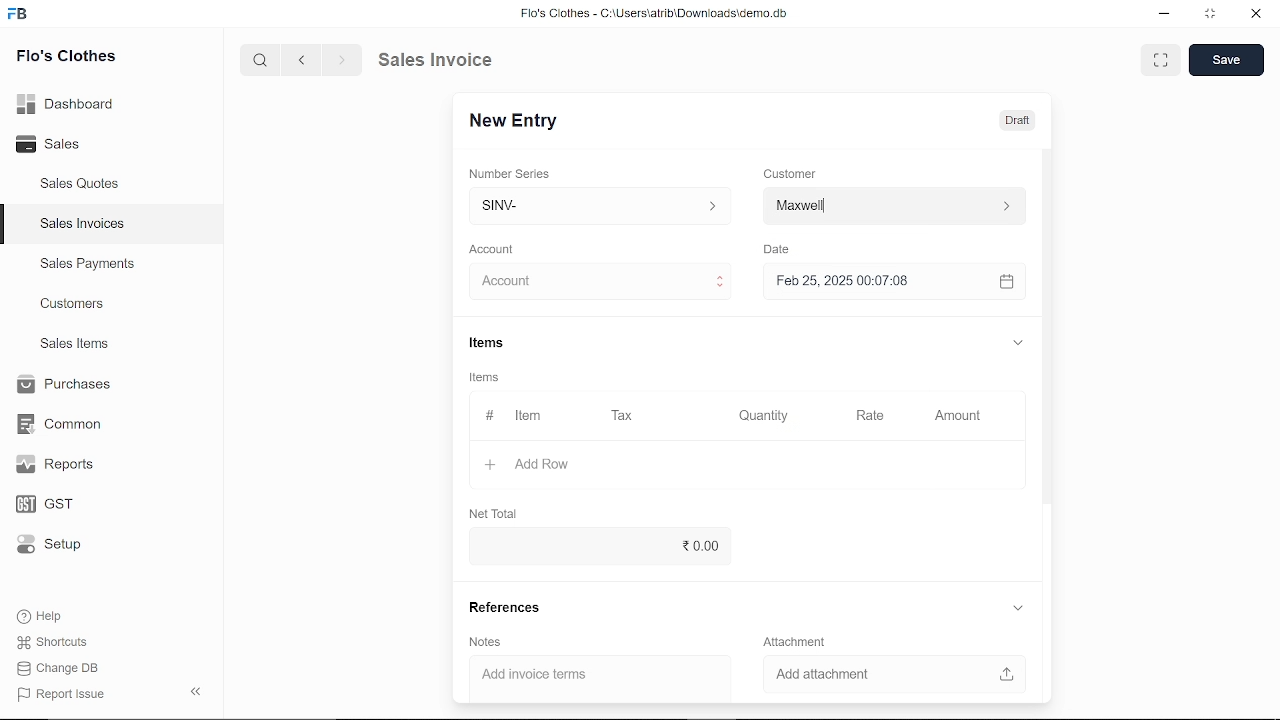  Describe the element at coordinates (506, 610) in the screenshot. I see `References.` at that location.